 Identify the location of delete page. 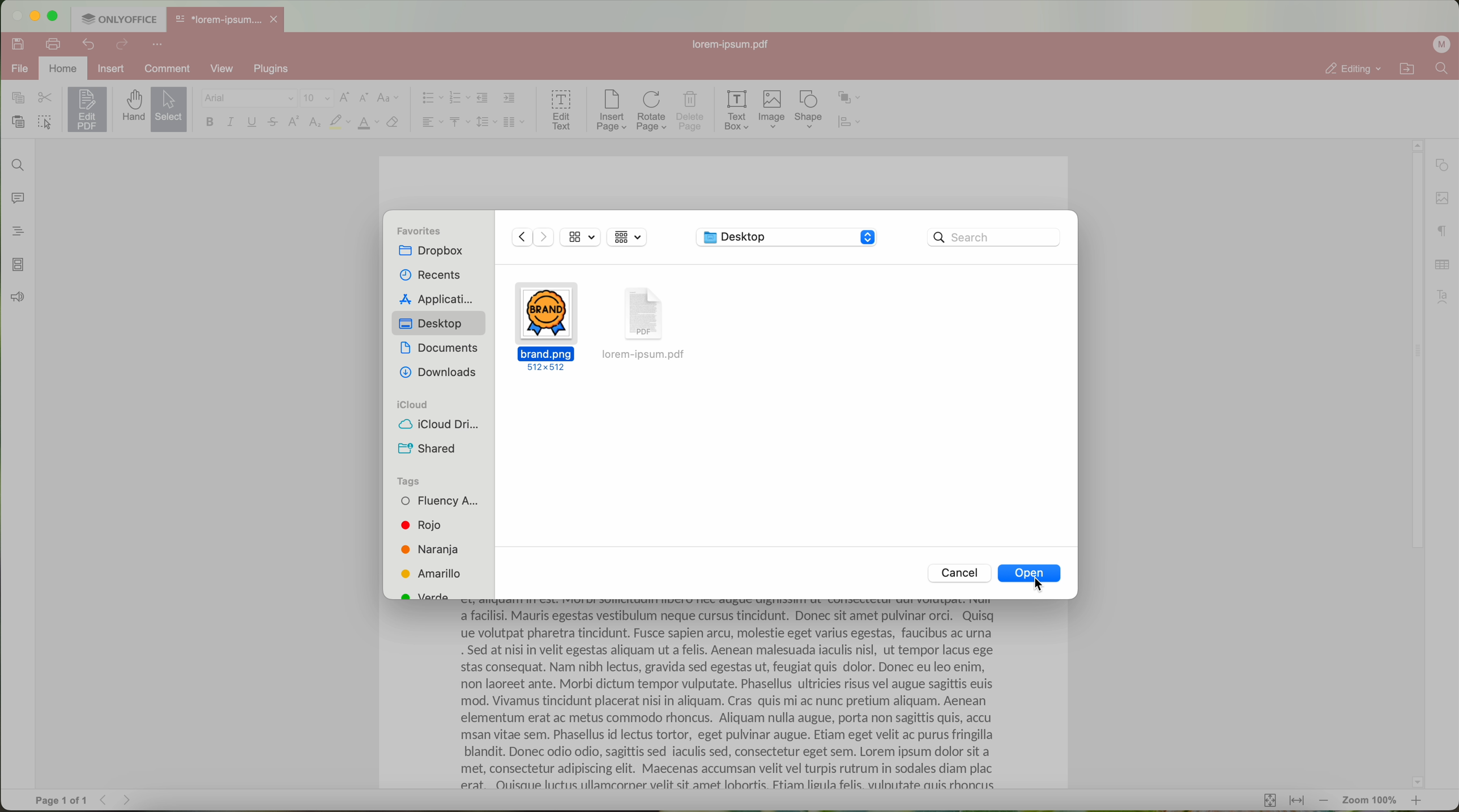
(691, 113).